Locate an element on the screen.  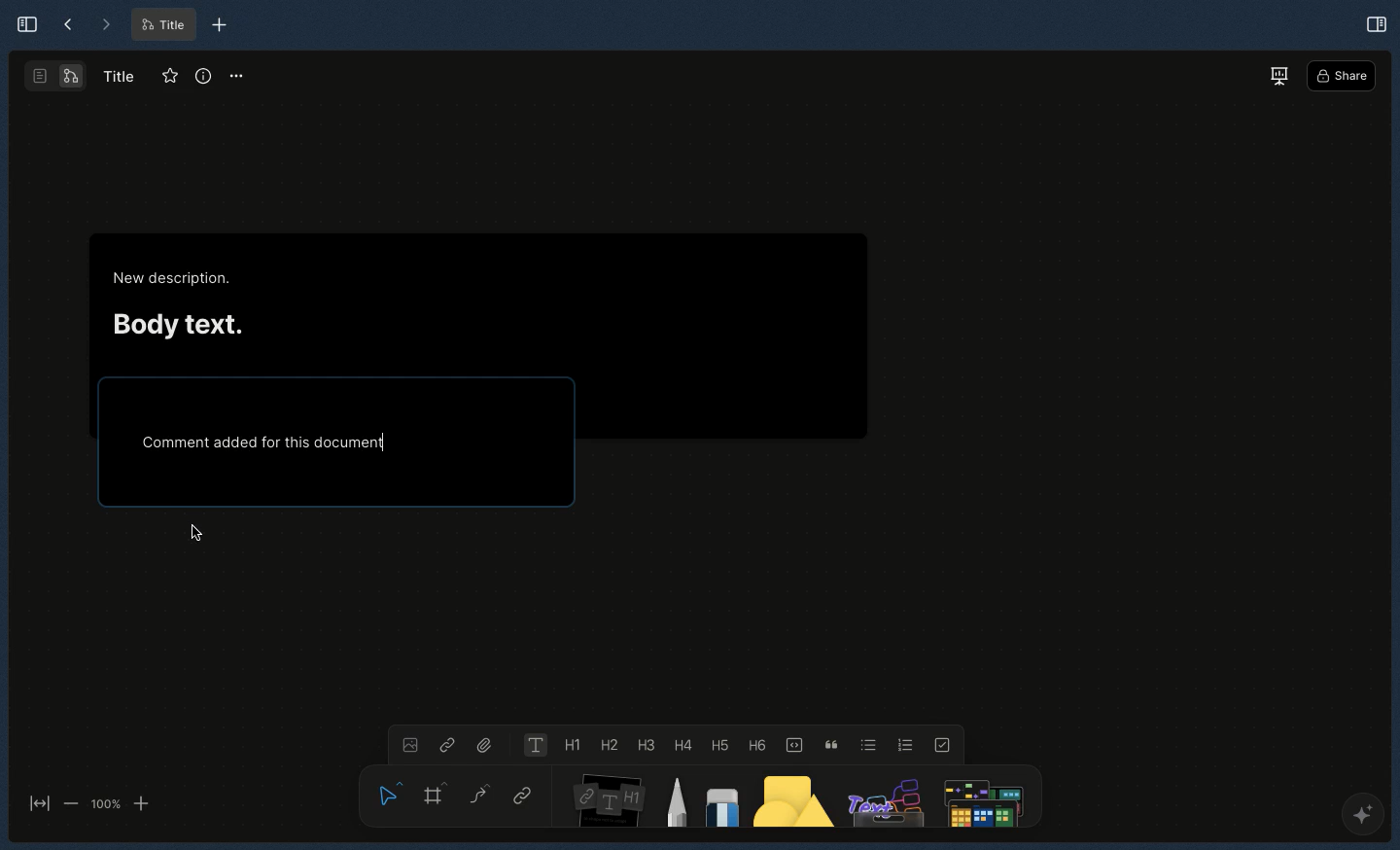
Share is located at coordinates (1342, 77).